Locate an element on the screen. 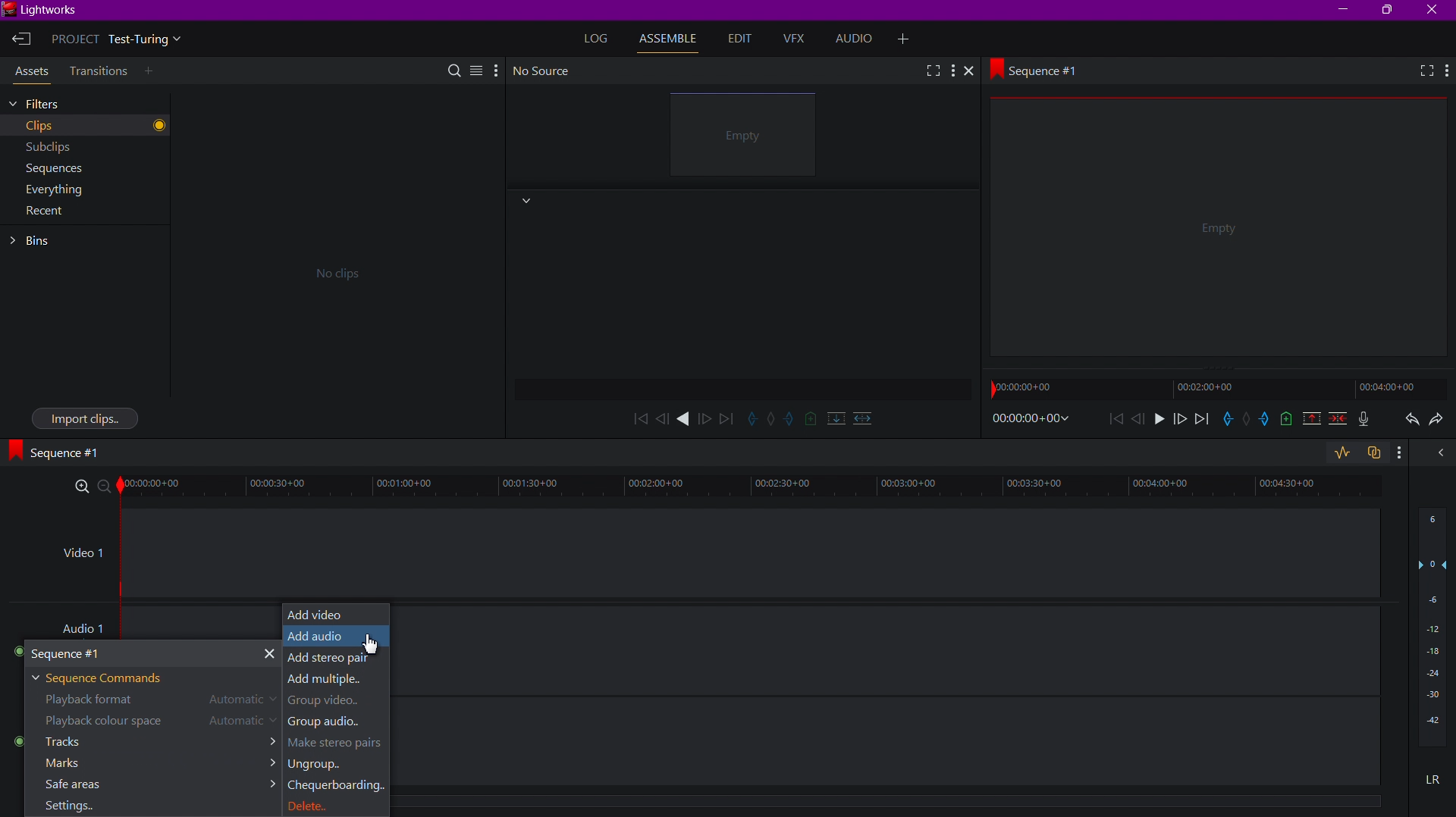 The image size is (1456, 817). beginning is located at coordinates (1116, 420).